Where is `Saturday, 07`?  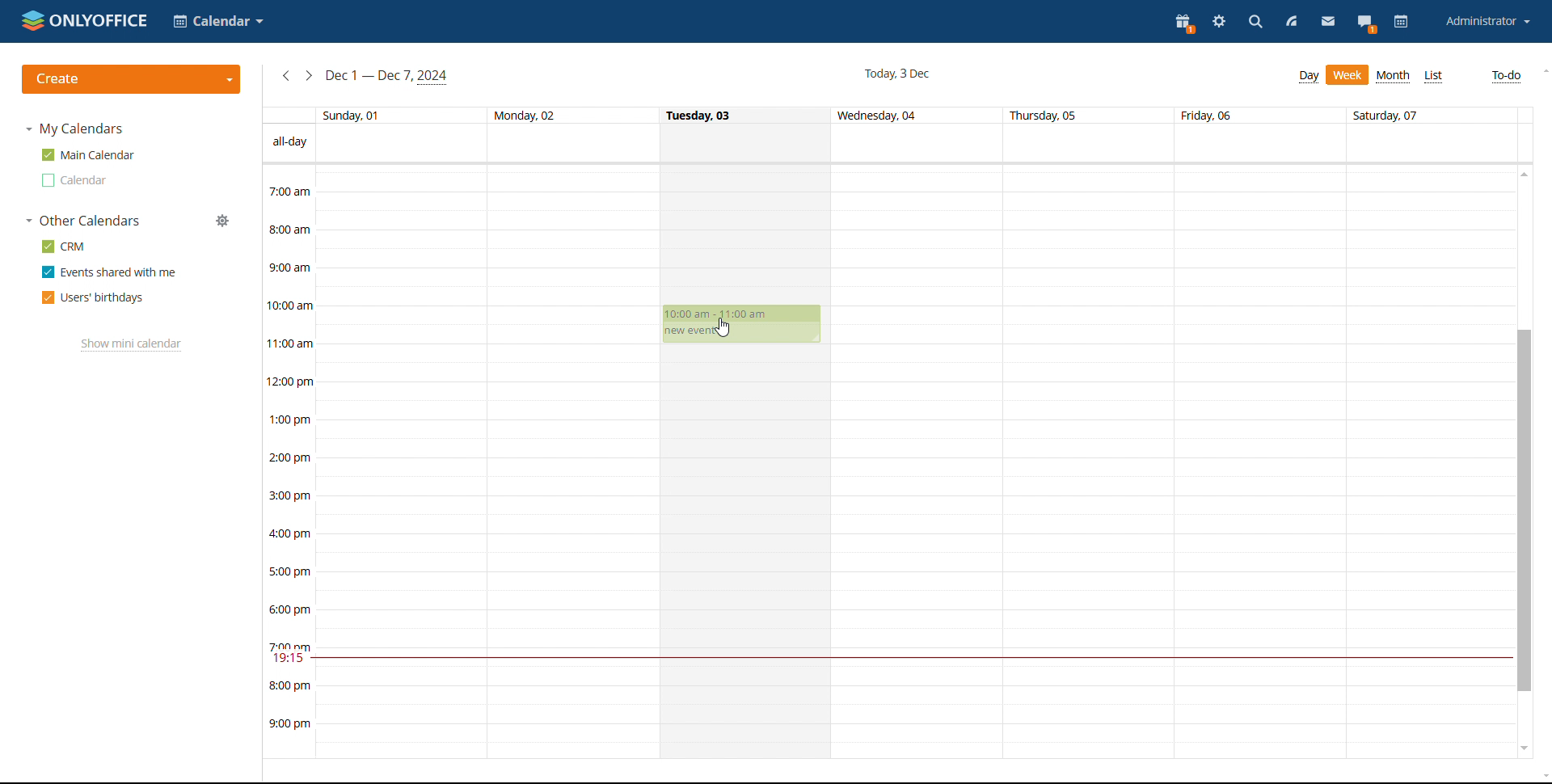 Saturday, 07 is located at coordinates (1390, 114).